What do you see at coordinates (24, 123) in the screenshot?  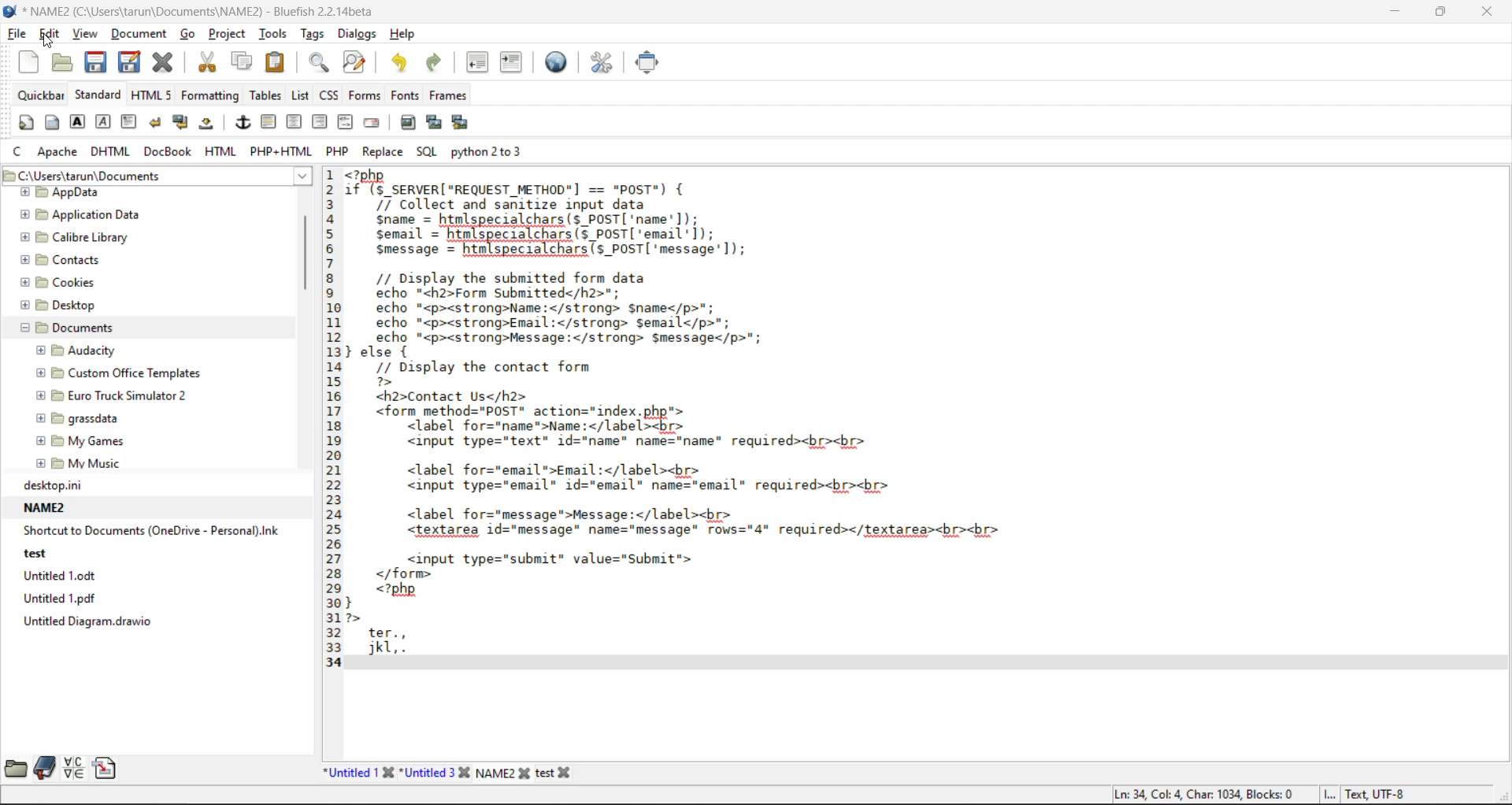 I see `quickstart` at bounding box center [24, 123].